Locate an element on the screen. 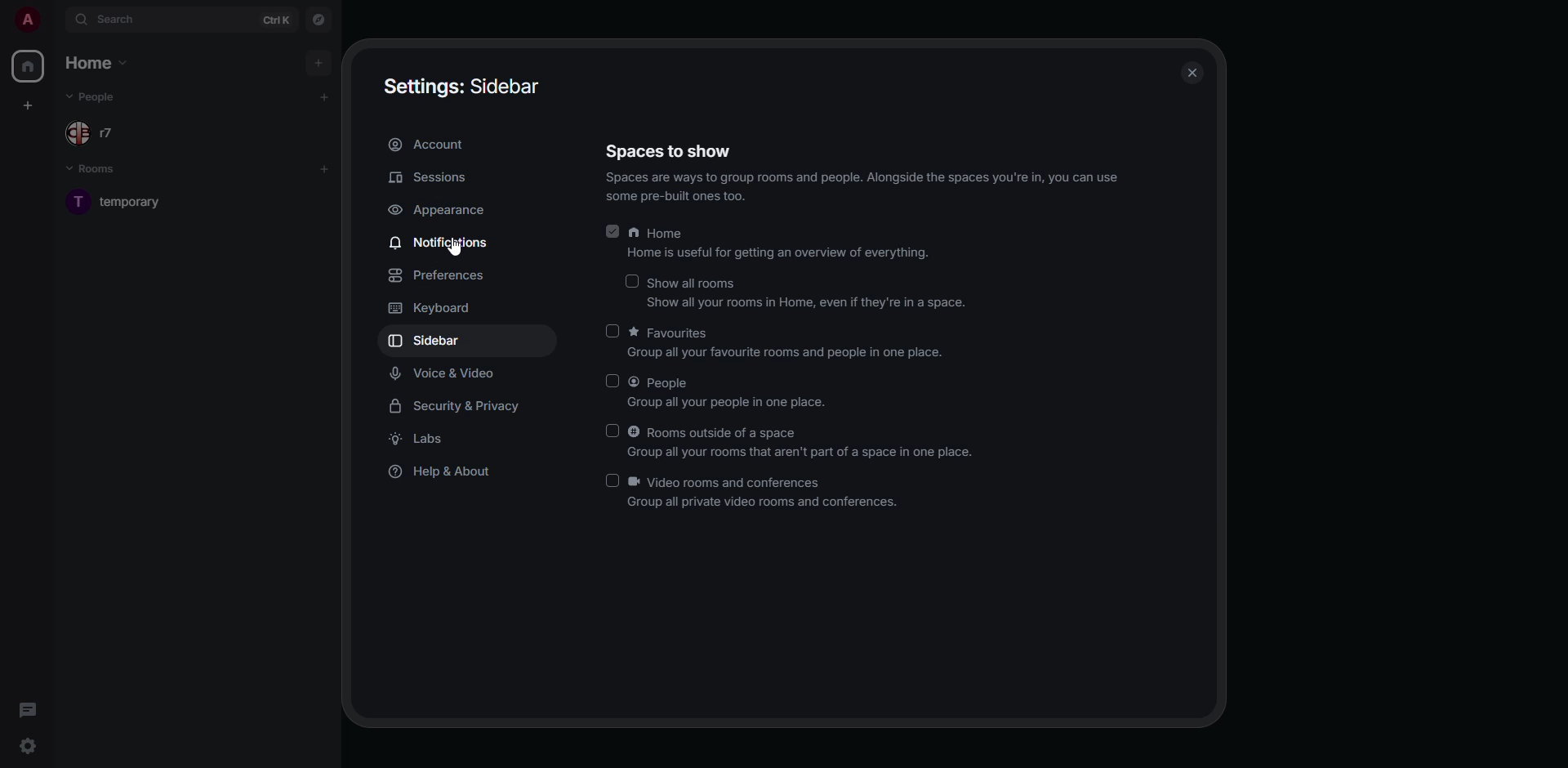 The image size is (1568, 768). keyboard is located at coordinates (434, 309).